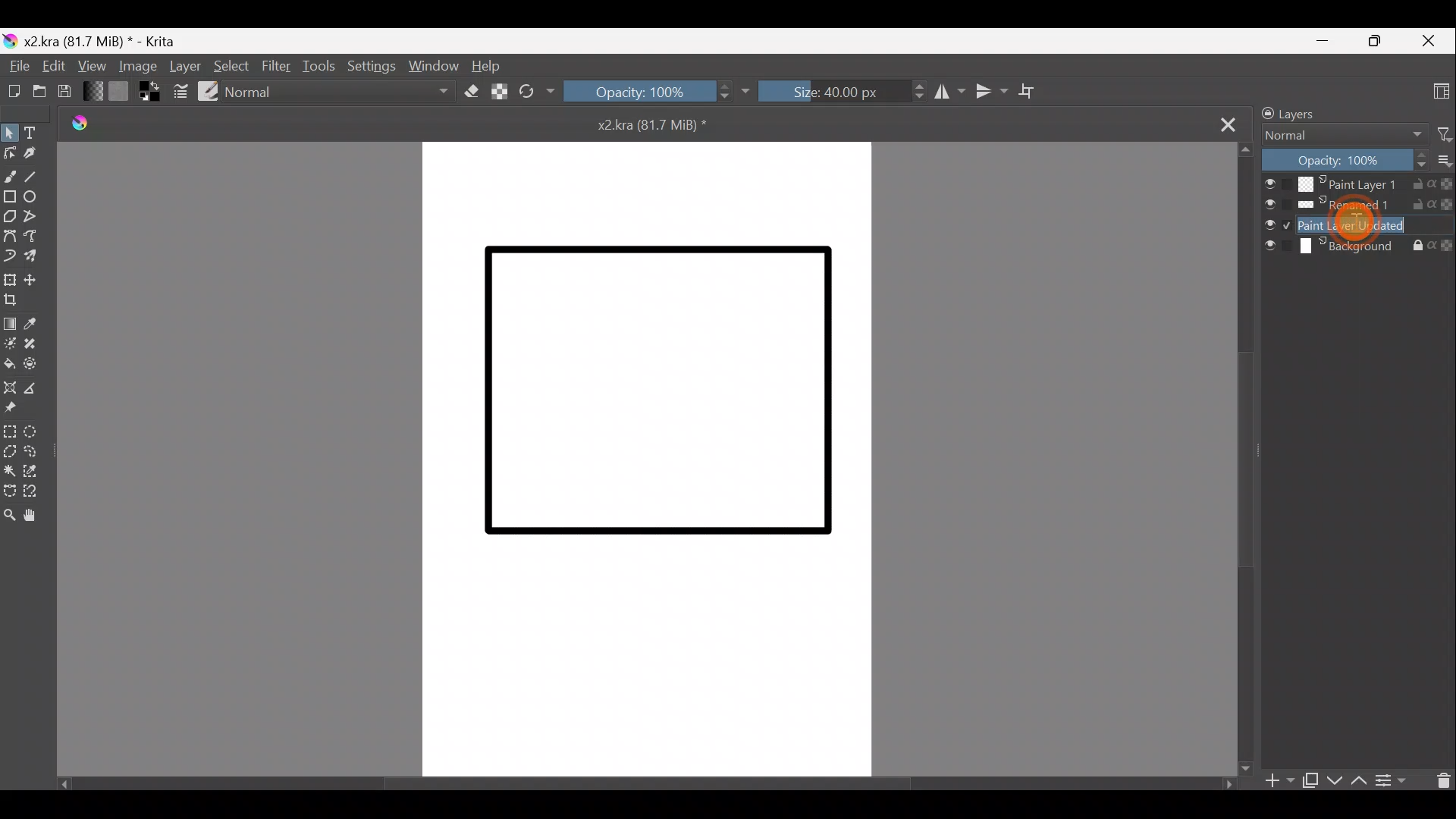  What do you see at coordinates (10, 345) in the screenshot?
I see `Colourise mask tool` at bounding box center [10, 345].